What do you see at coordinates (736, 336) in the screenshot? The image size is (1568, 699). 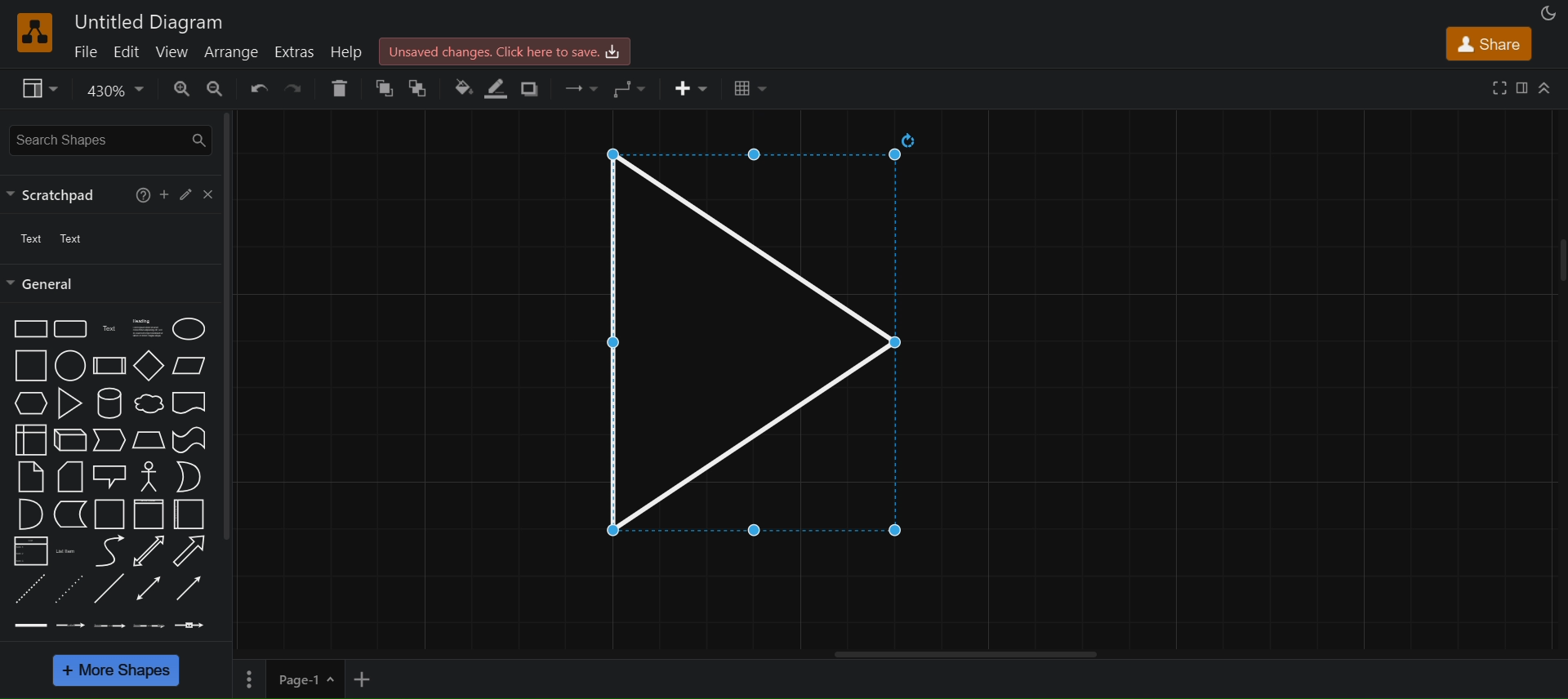 I see `triangle` at bounding box center [736, 336].